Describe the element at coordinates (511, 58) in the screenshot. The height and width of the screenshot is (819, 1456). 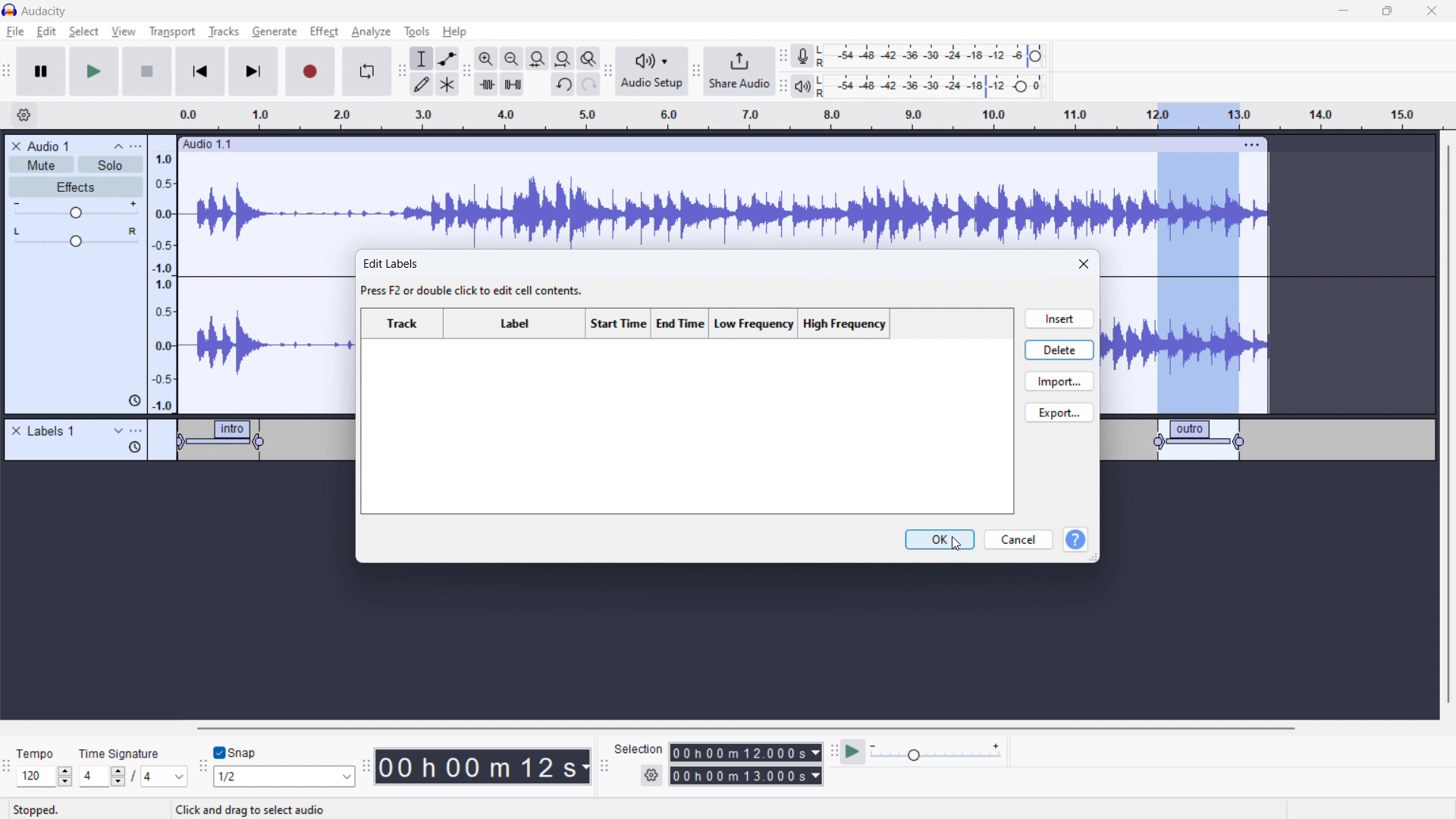
I see `zoom out` at that location.